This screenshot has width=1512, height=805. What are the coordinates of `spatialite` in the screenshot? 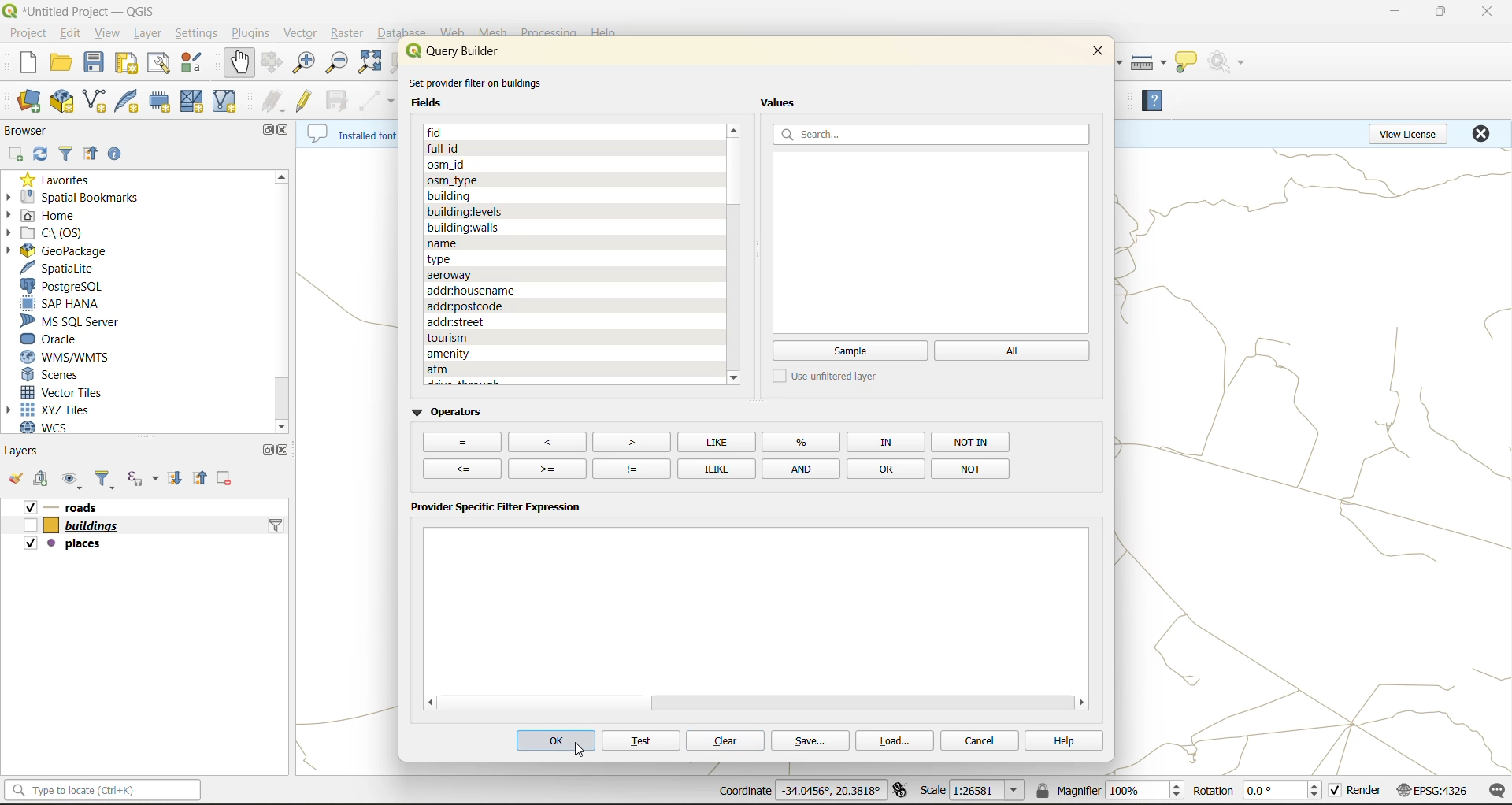 It's located at (67, 269).